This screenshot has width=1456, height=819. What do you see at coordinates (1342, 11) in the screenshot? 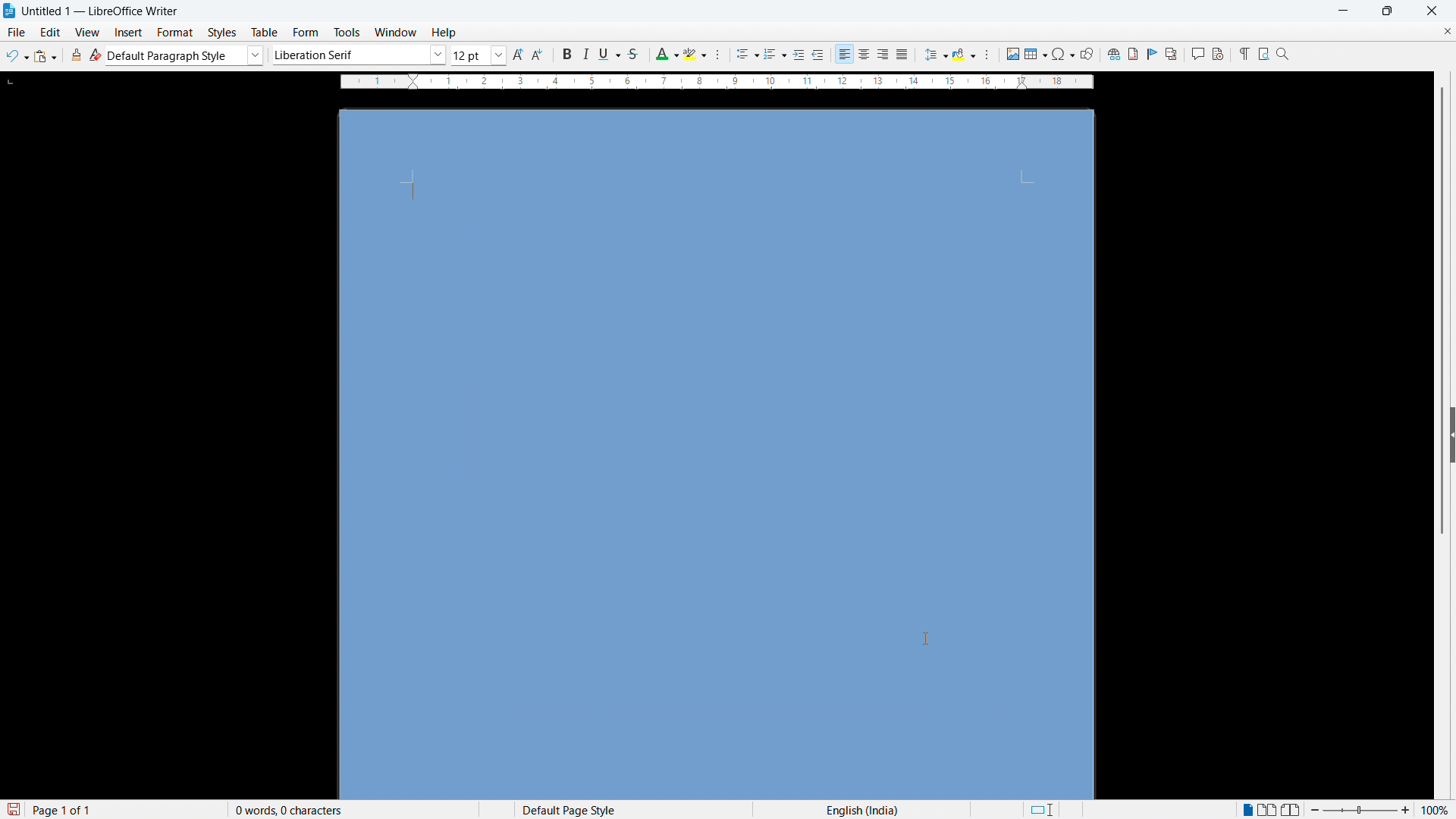
I see `minimise ` at bounding box center [1342, 11].